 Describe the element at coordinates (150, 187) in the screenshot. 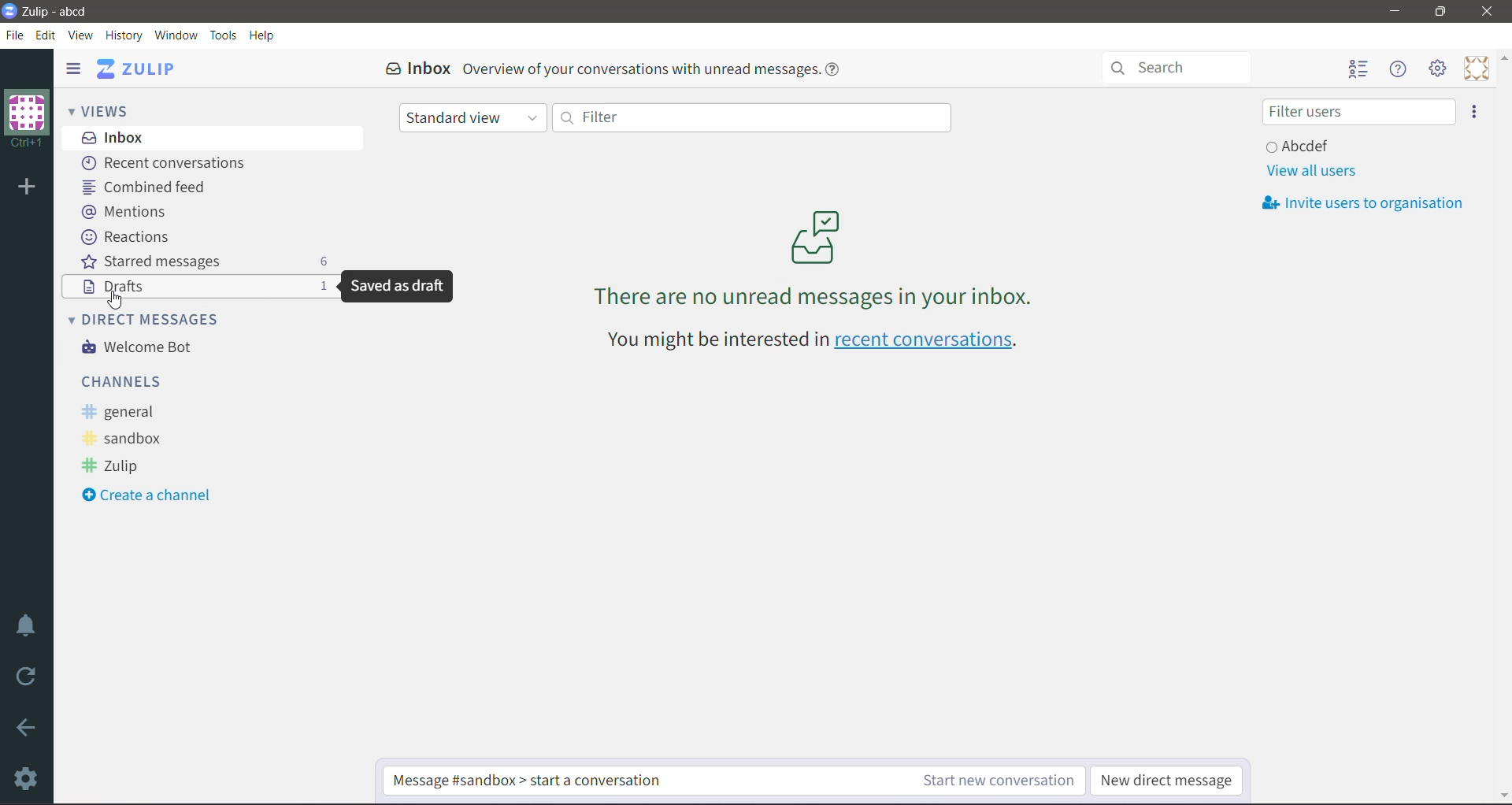

I see `Combined feed` at that location.